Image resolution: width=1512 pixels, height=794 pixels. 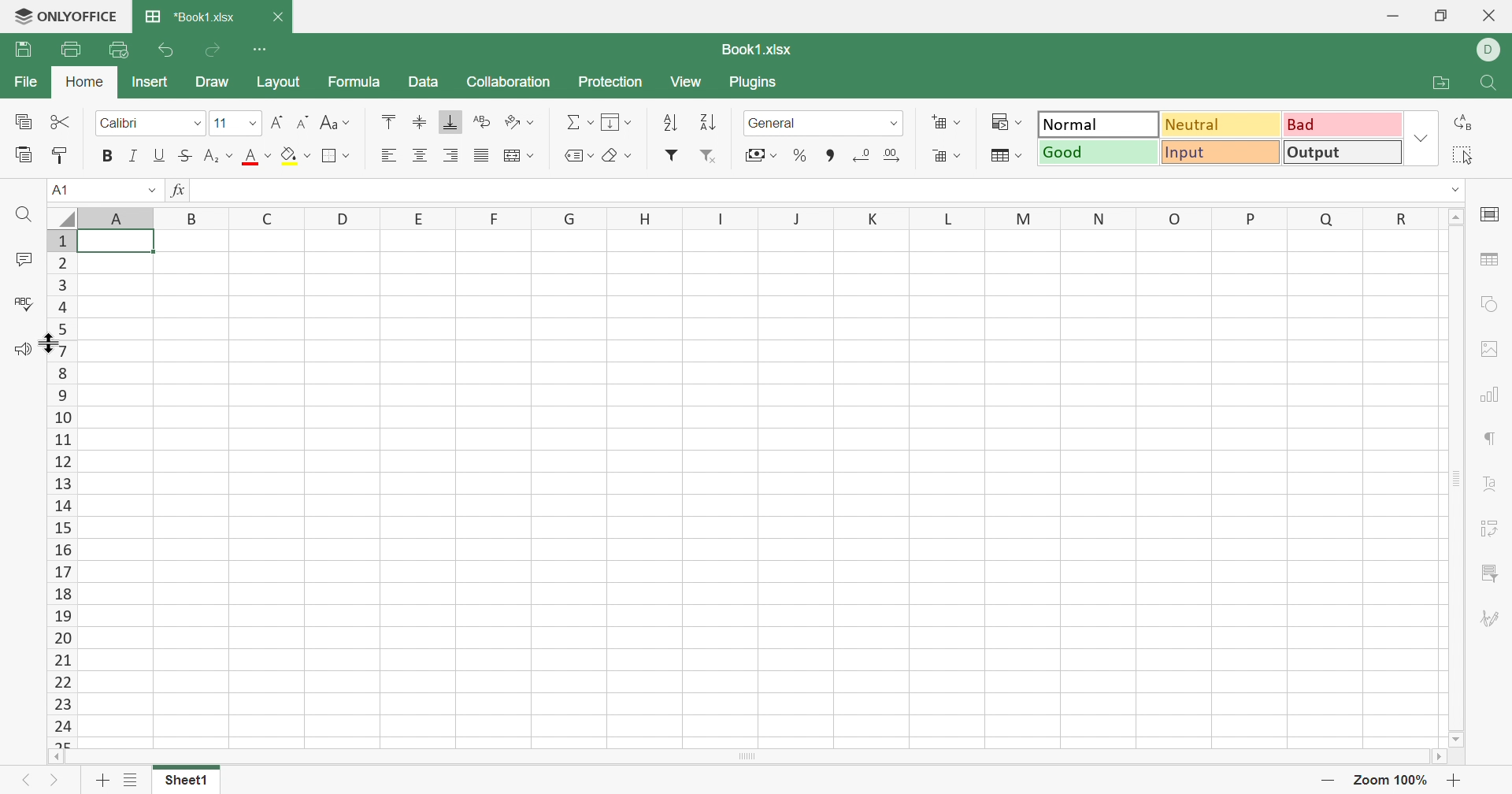 I want to click on Customize Quick Access Toolbar, so click(x=259, y=47).